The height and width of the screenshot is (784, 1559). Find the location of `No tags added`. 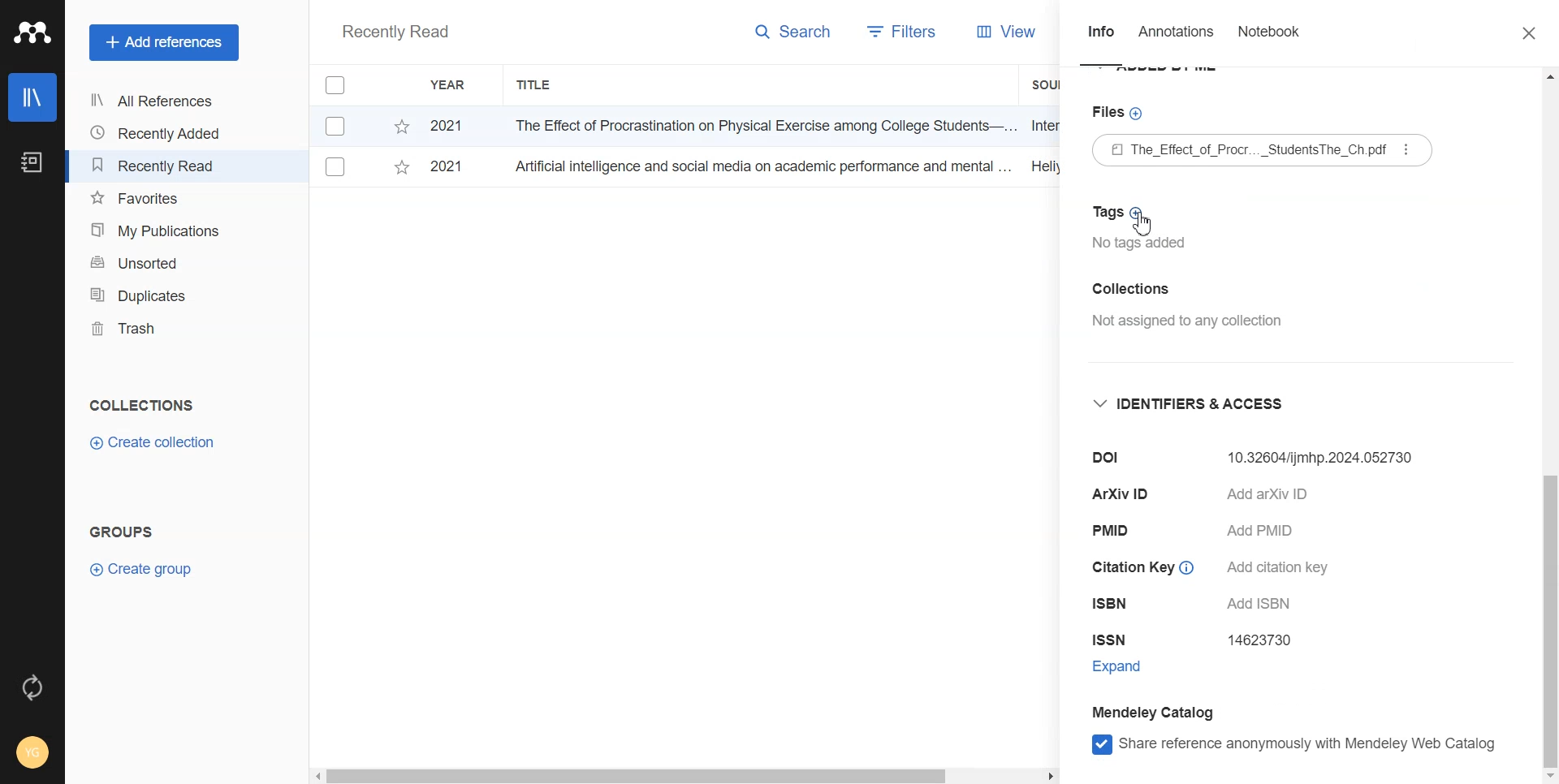

No tags added is located at coordinates (1142, 243).